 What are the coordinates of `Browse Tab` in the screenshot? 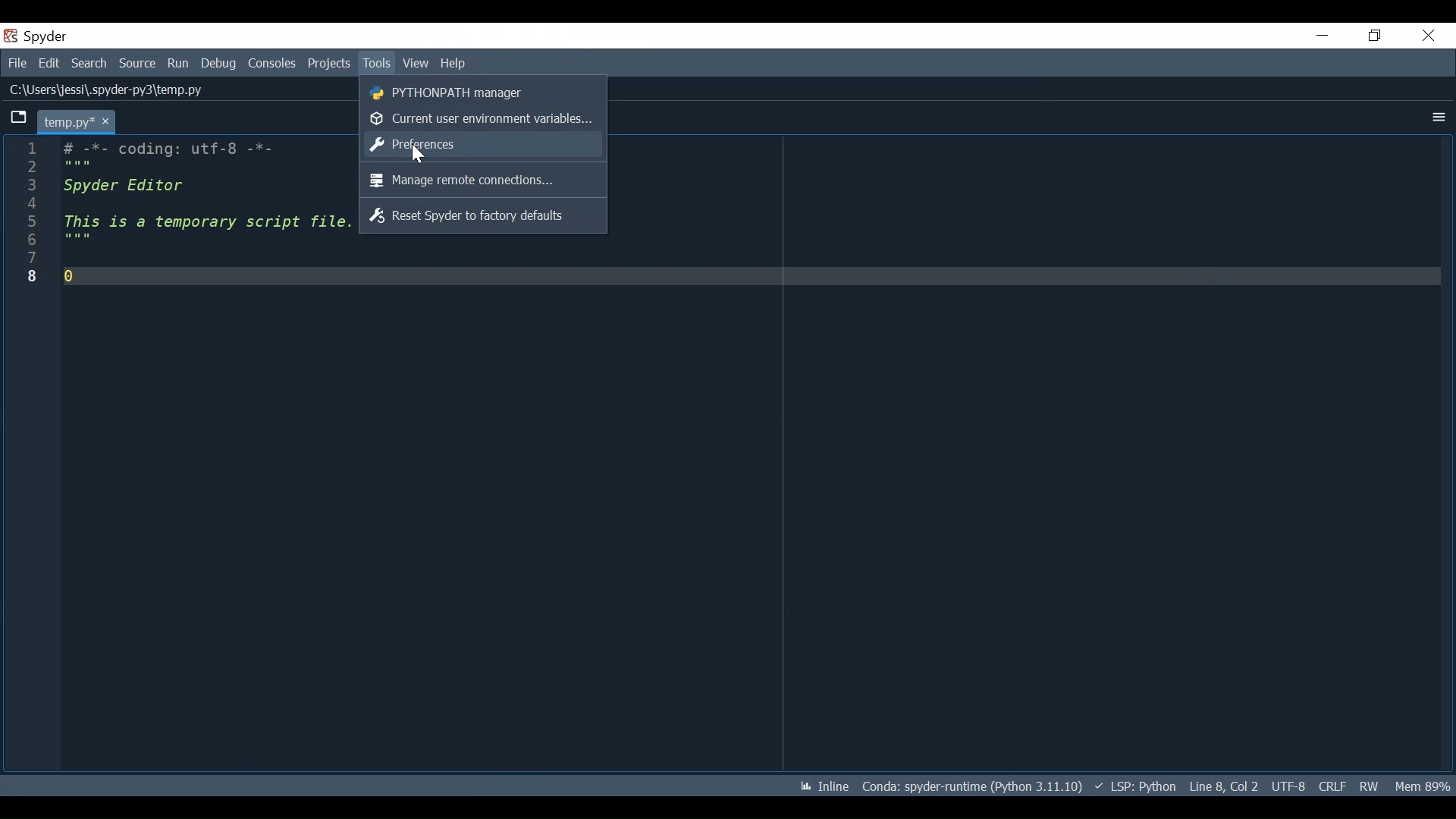 It's located at (17, 119).